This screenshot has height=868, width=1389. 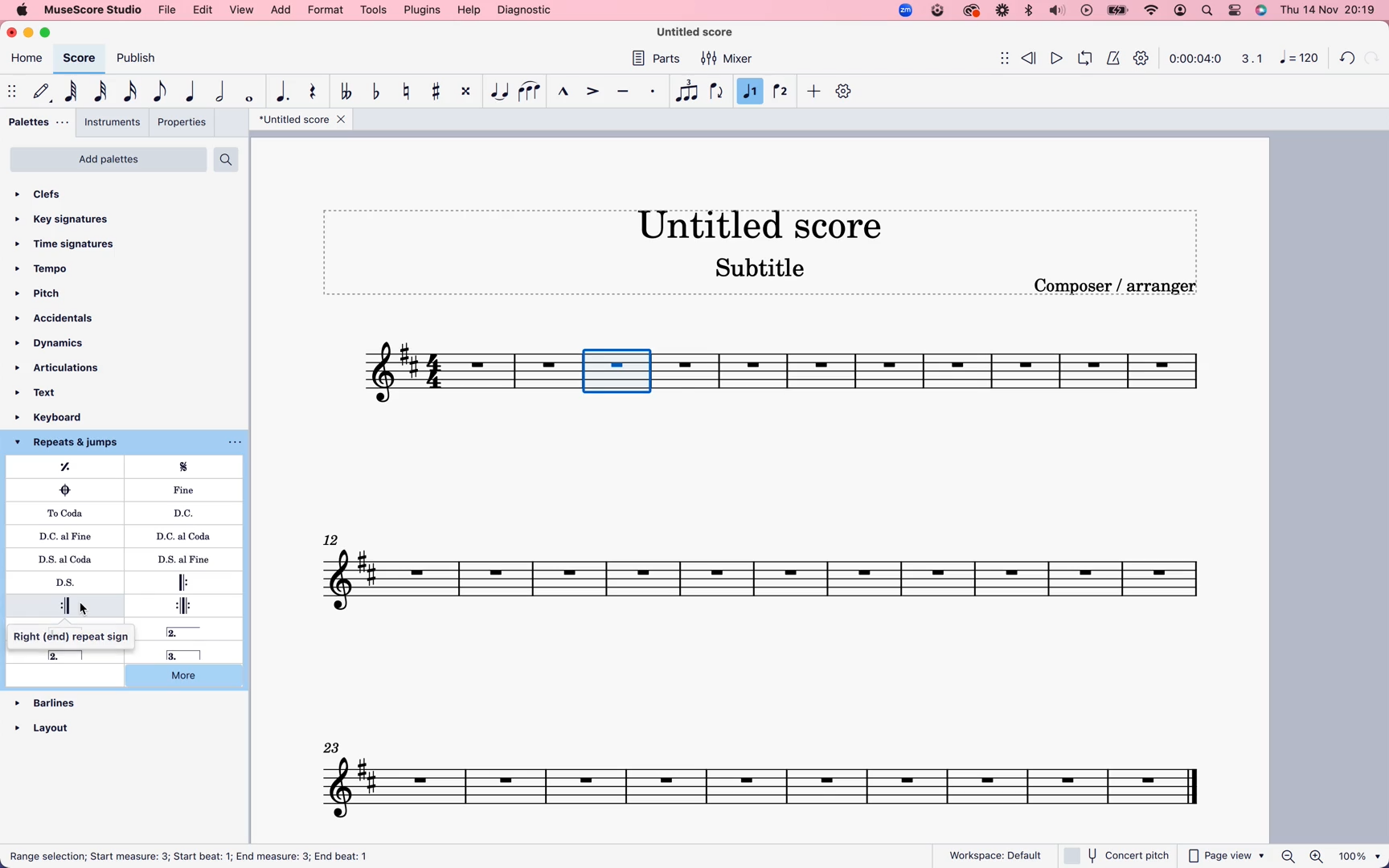 What do you see at coordinates (621, 371) in the screenshot?
I see `selected scale` at bounding box center [621, 371].